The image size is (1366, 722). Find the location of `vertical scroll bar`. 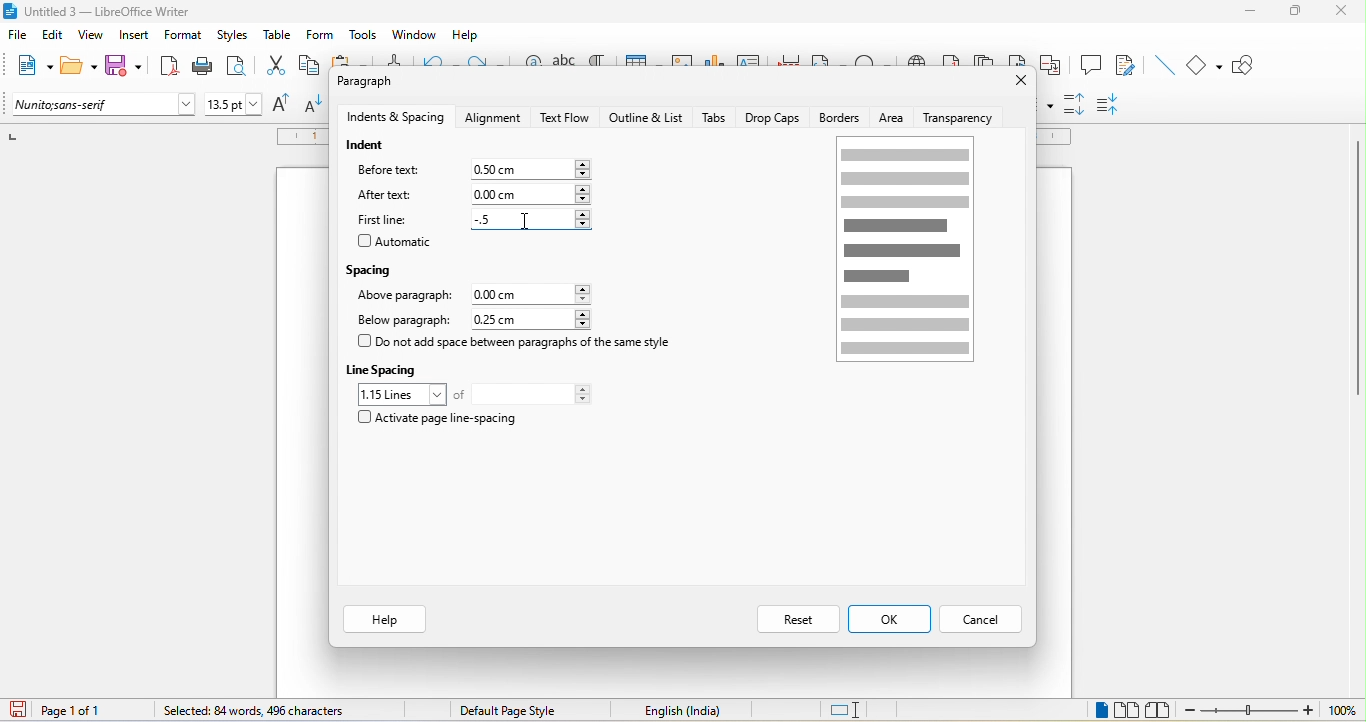

vertical scroll bar is located at coordinates (1357, 270).